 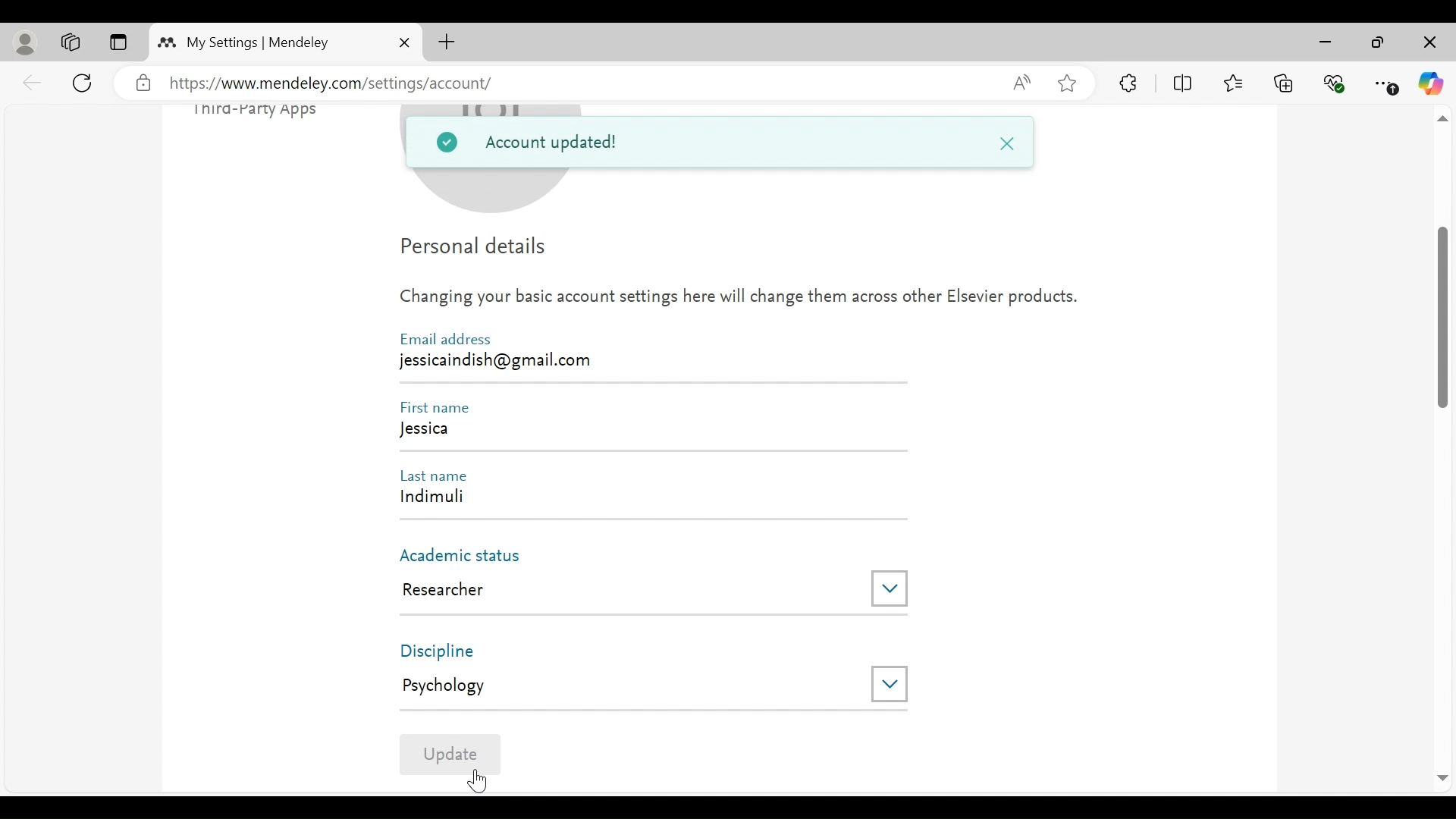 I want to click on jessicaindish@gmail.com, so click(x=500, y=359).